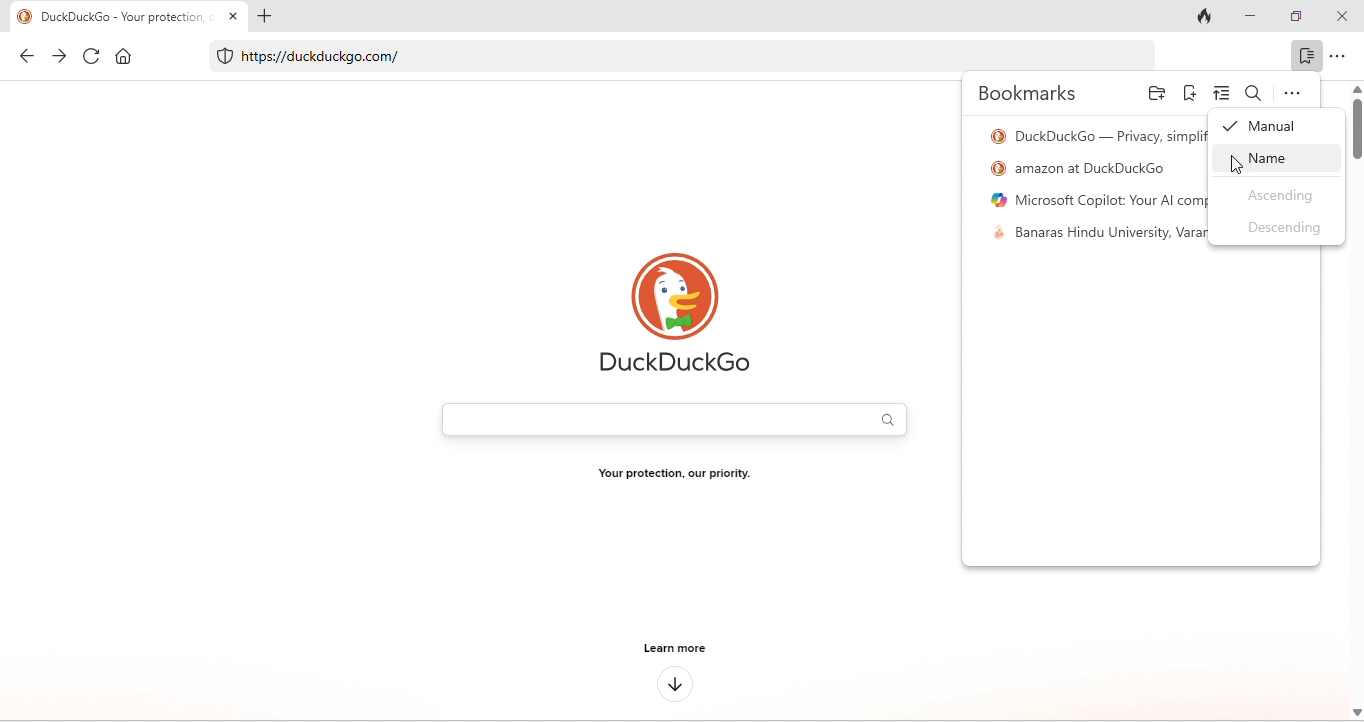 The height and width of the screenshot is (722, 1364). Describe the element at coordinates (59, 56) in the screenshot. I see `forward` at that location.